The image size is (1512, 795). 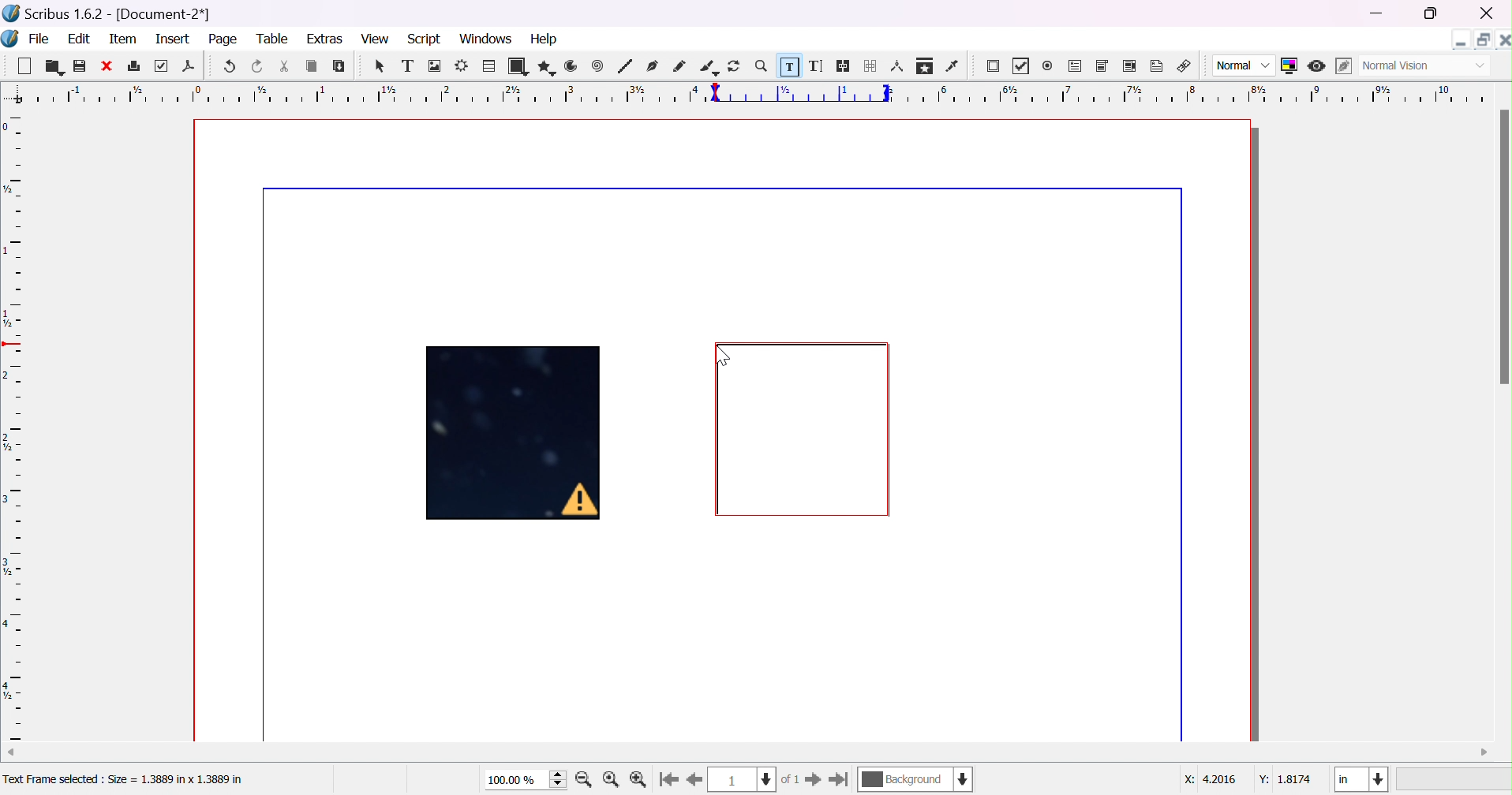 What do you see at coordinates (1503, 38) in the screenshot?
I see `close` at bounding box center [1503, 38].